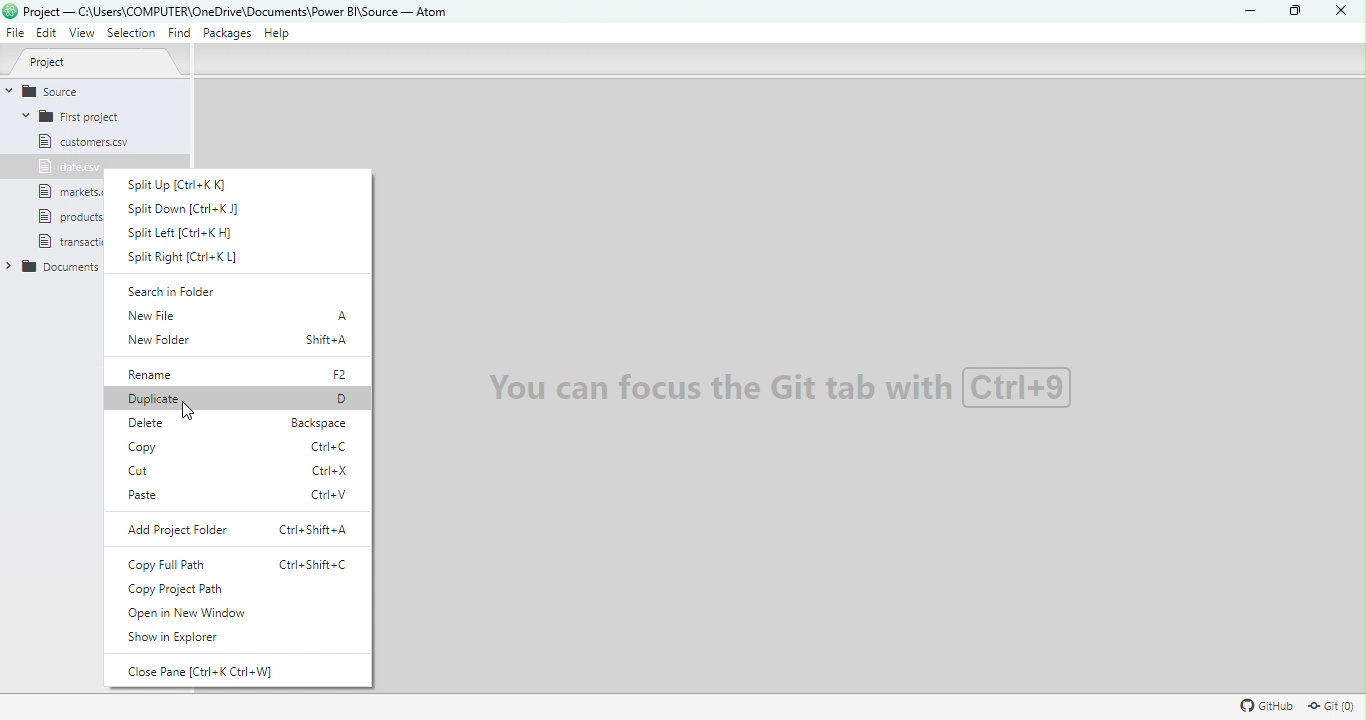 The height and width of the screenshot is (720, 1366). I want to click on Paste, so click(240, 496).